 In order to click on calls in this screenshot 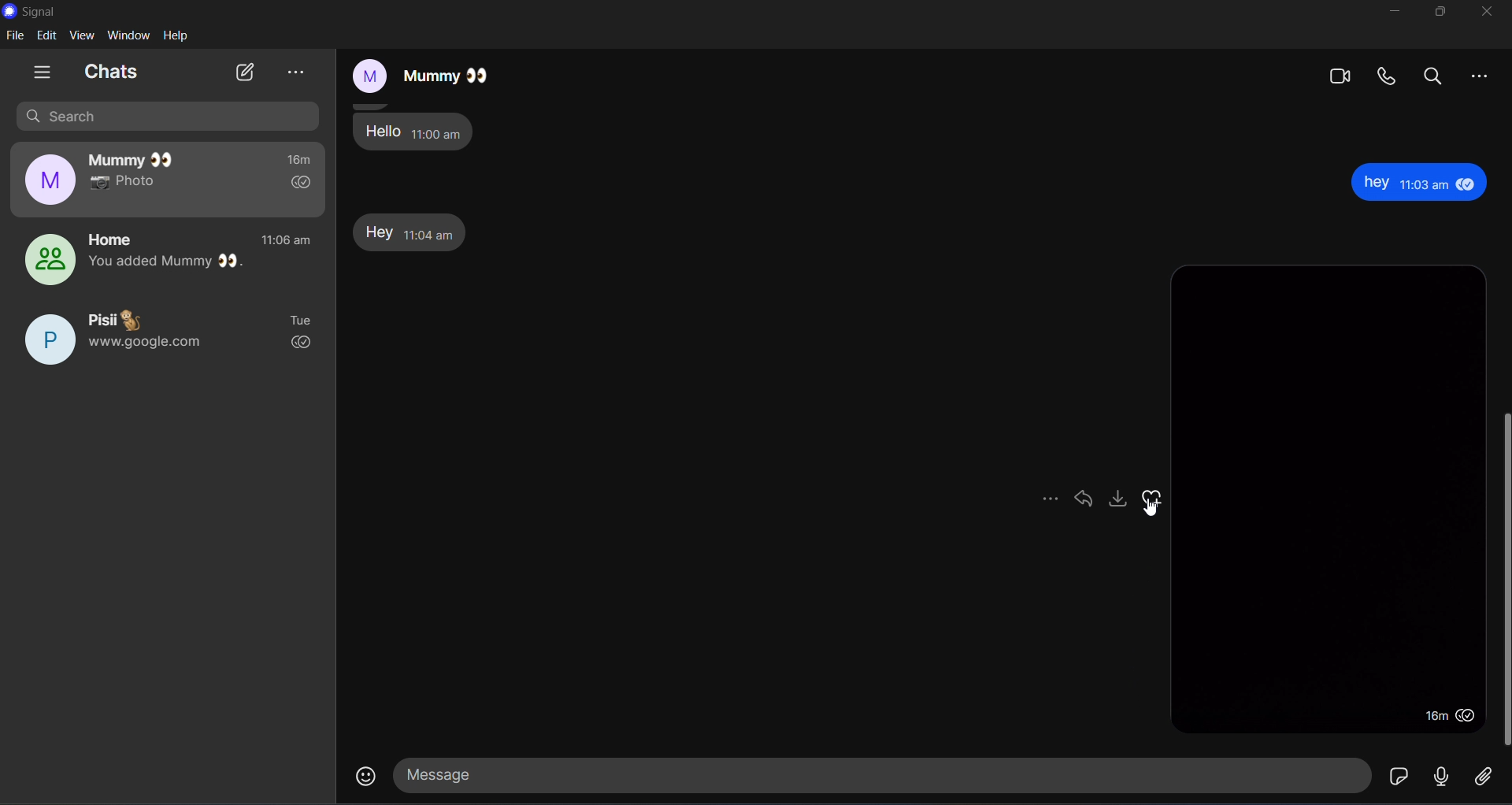, I will do `click(1384, 76)`.